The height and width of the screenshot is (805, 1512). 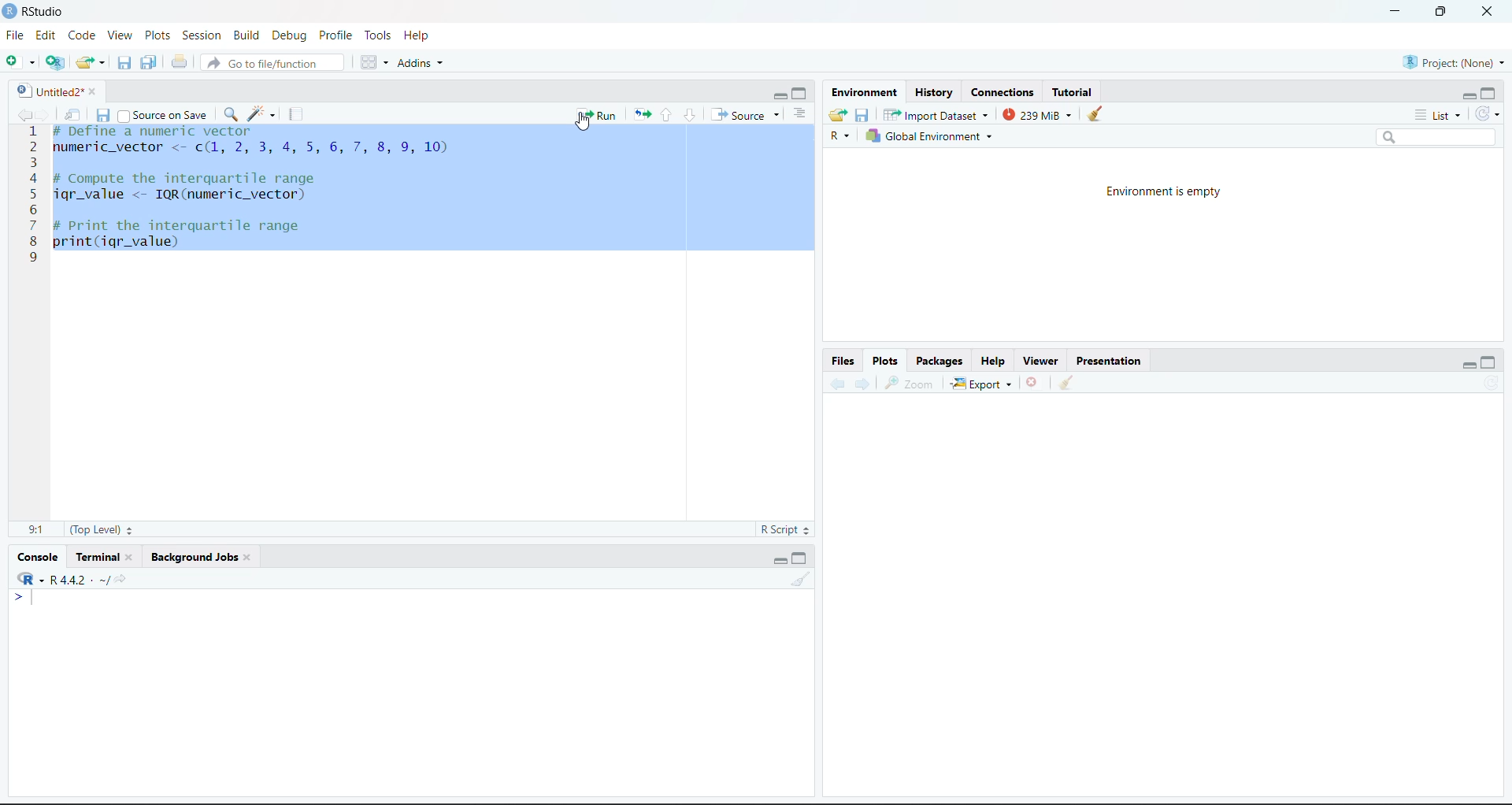 I want to click on Untitled2*, so click(x=53, y=89).